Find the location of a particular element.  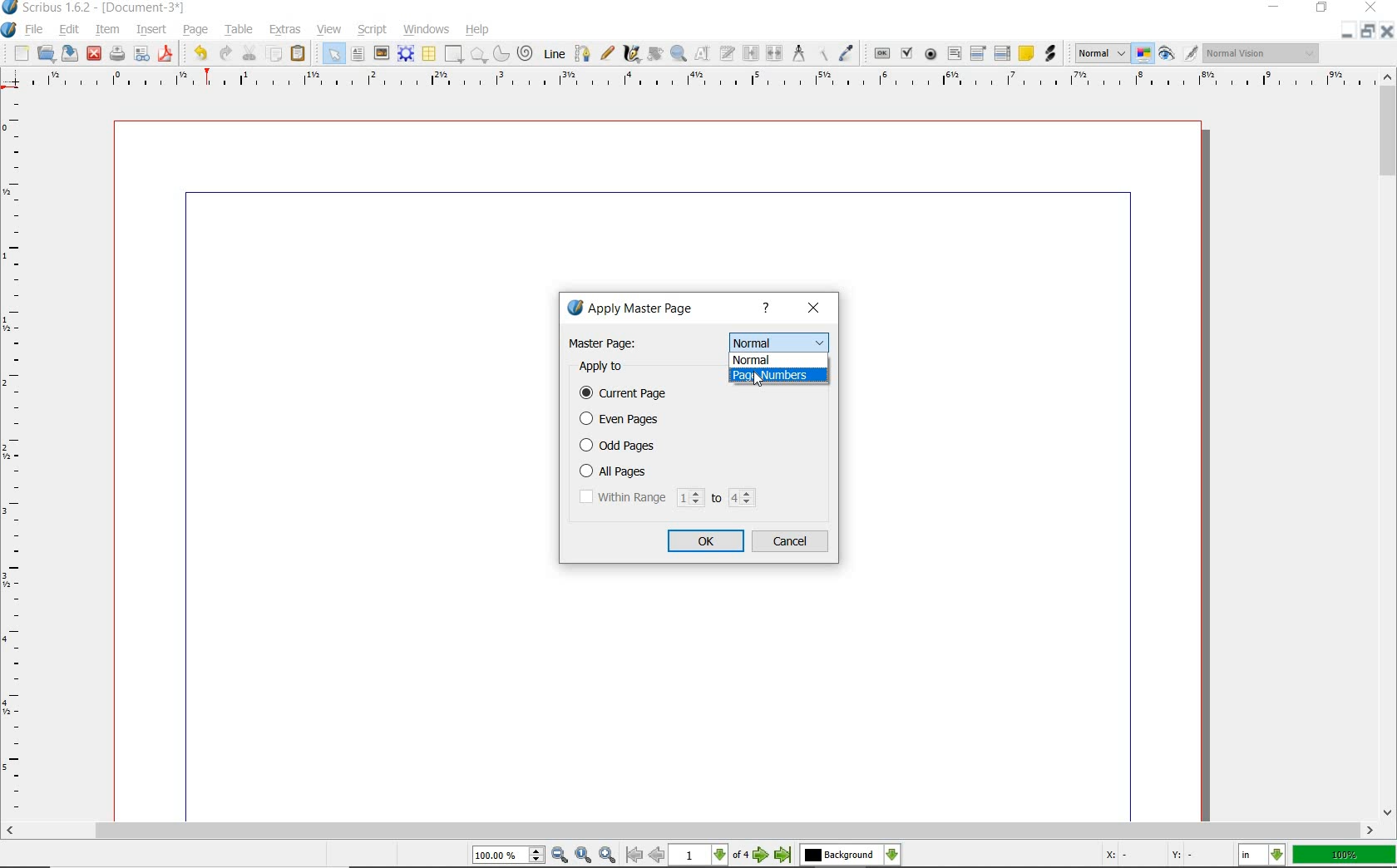

Close is located at coordinates (1389, 33).